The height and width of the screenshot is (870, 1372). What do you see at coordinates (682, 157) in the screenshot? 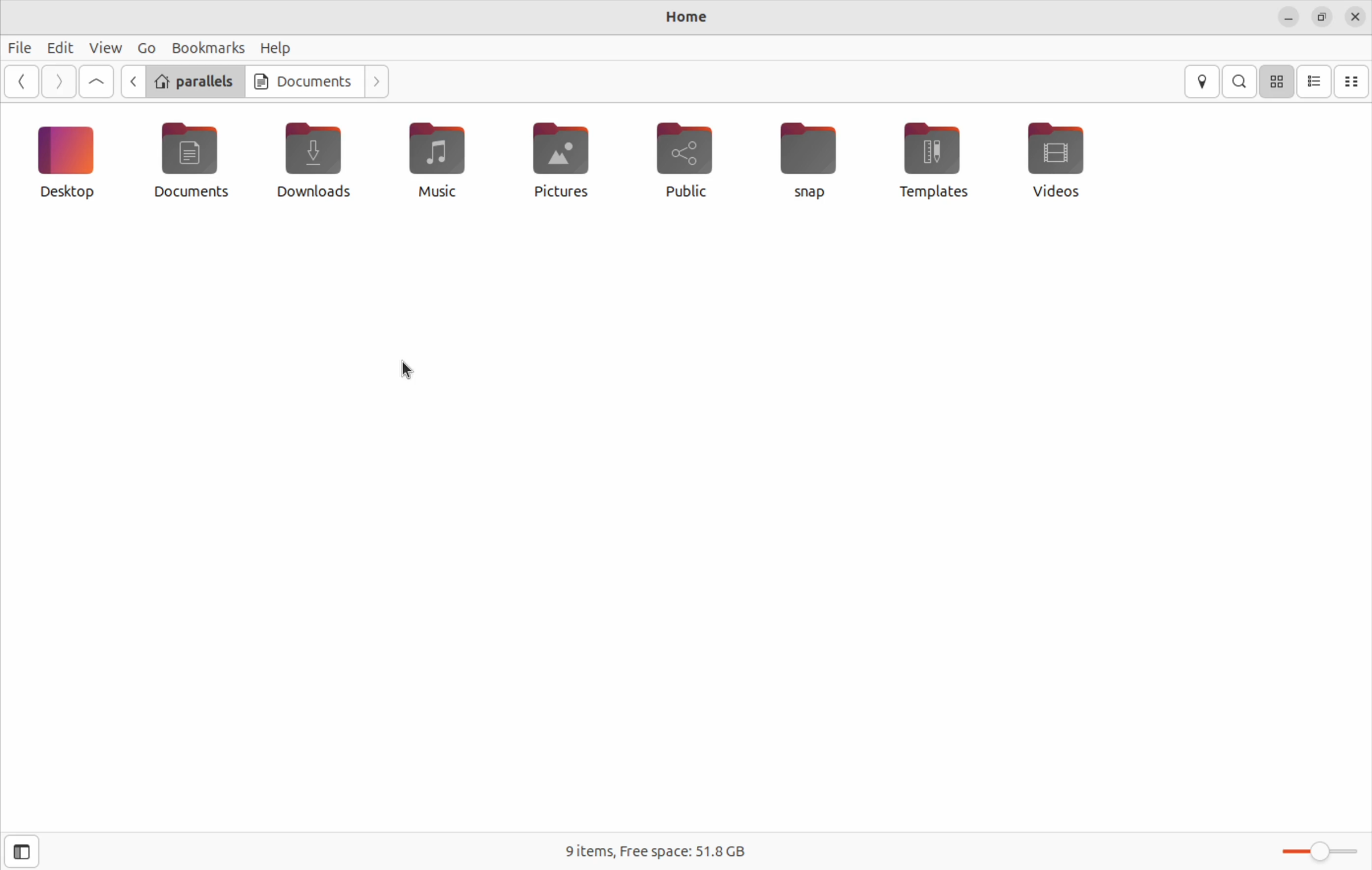
I see `Videos` at bounding box center [682, 157].